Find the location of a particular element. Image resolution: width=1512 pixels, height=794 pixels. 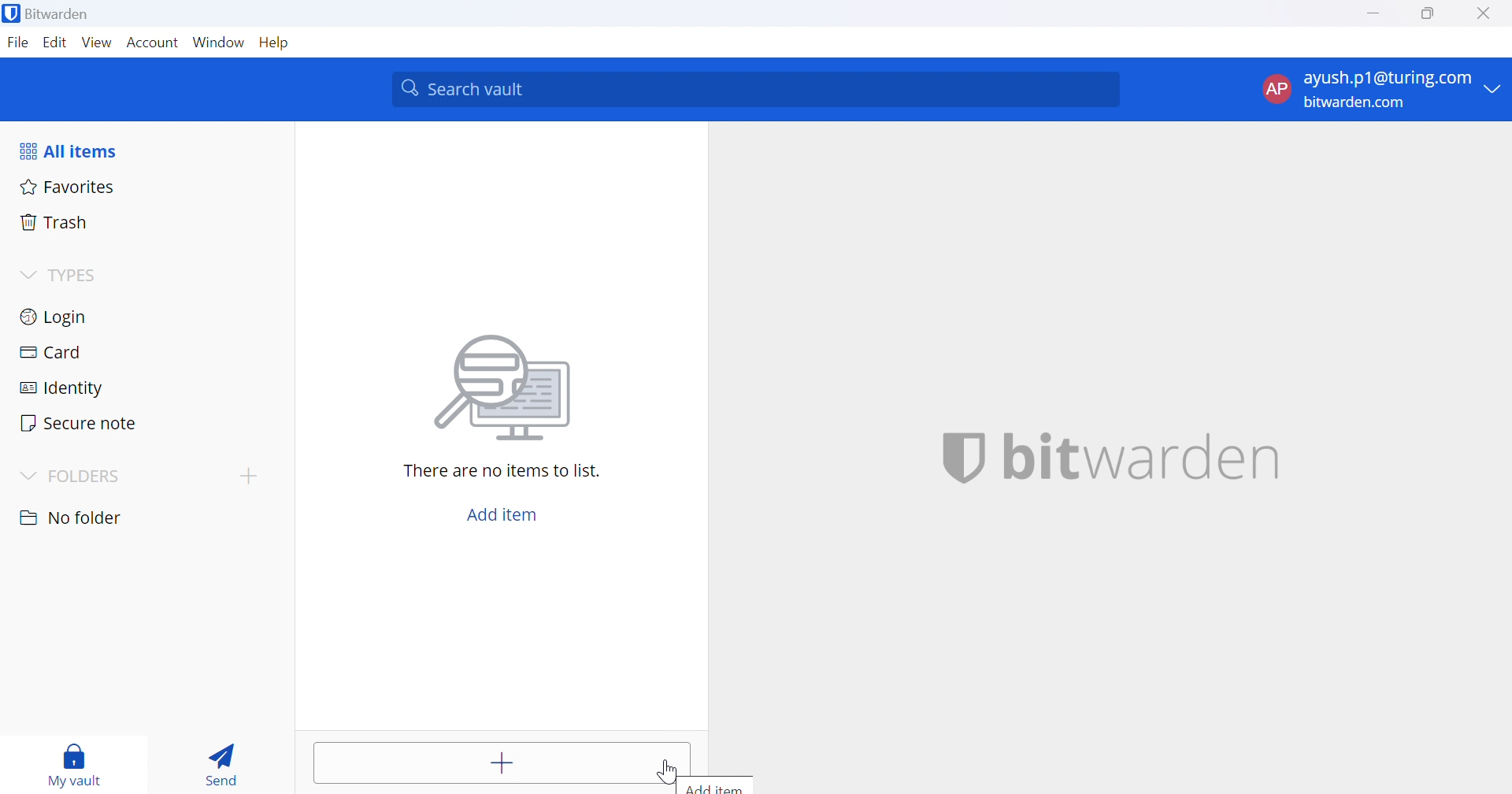

Secure note is located at coordinates (81, 425).